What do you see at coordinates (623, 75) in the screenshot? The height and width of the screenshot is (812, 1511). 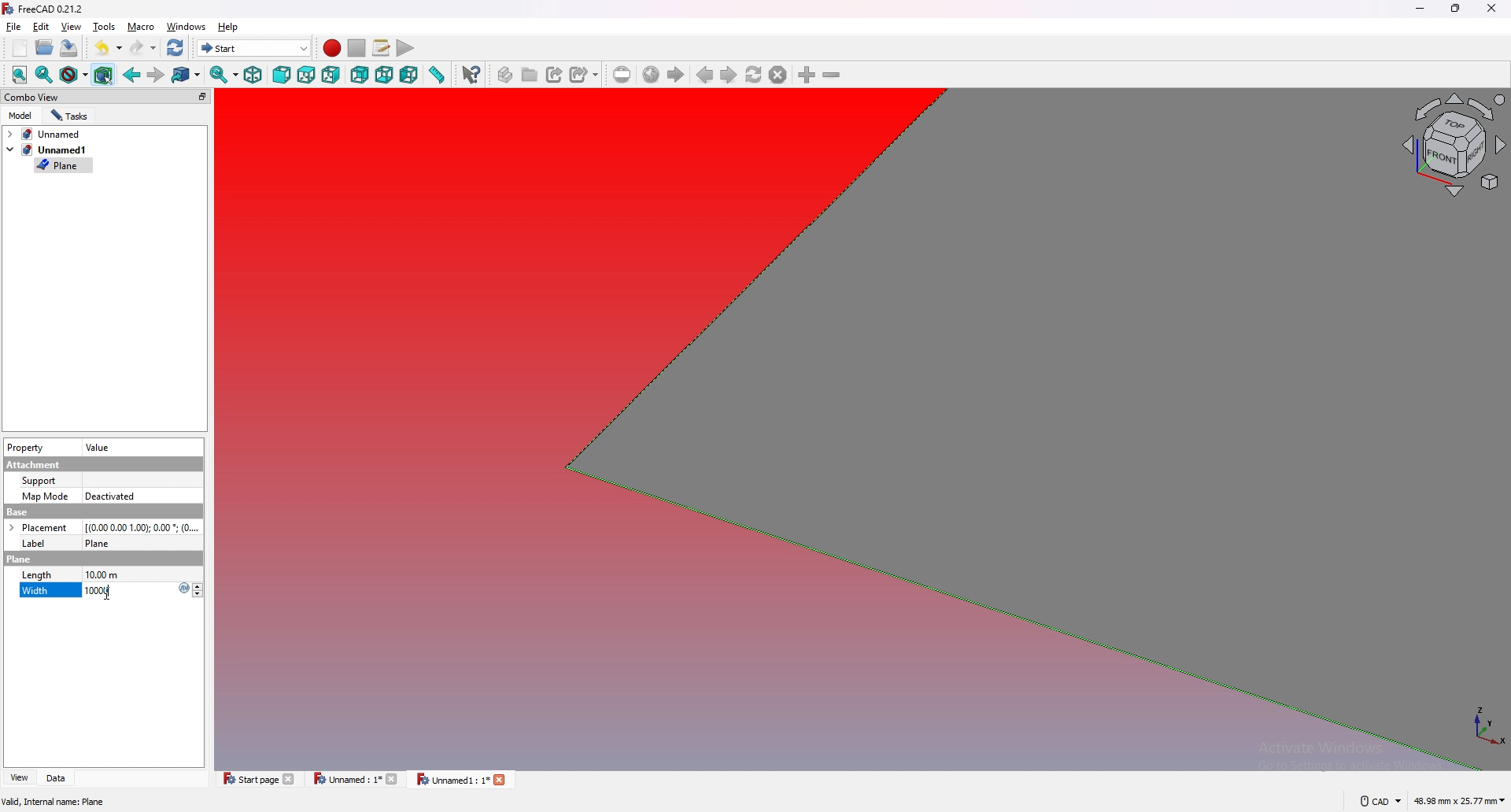 I see `set url` at bounding box center [623, 75].